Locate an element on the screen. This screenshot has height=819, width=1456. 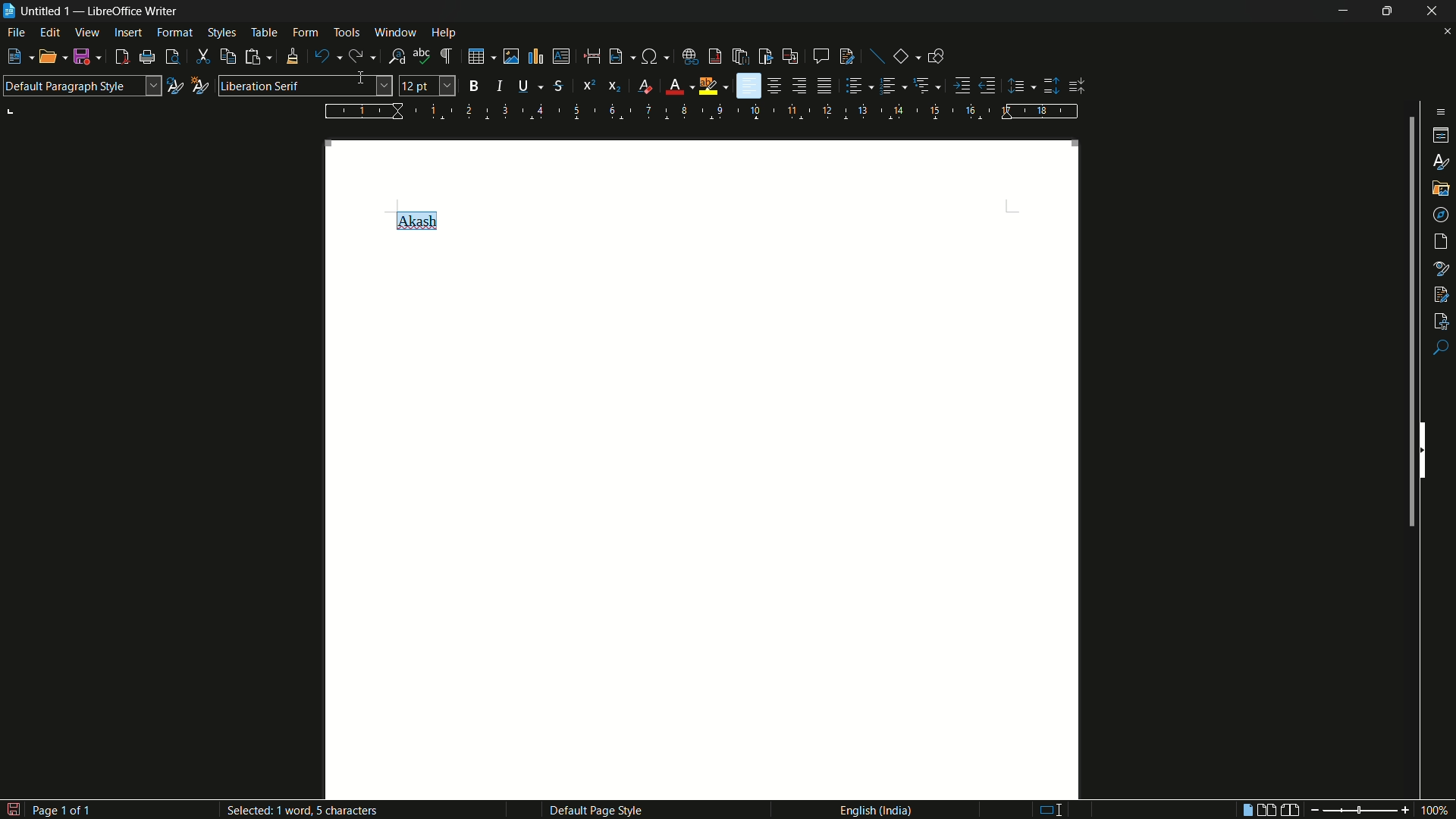
navigator is located at coordinates (1442, 214).